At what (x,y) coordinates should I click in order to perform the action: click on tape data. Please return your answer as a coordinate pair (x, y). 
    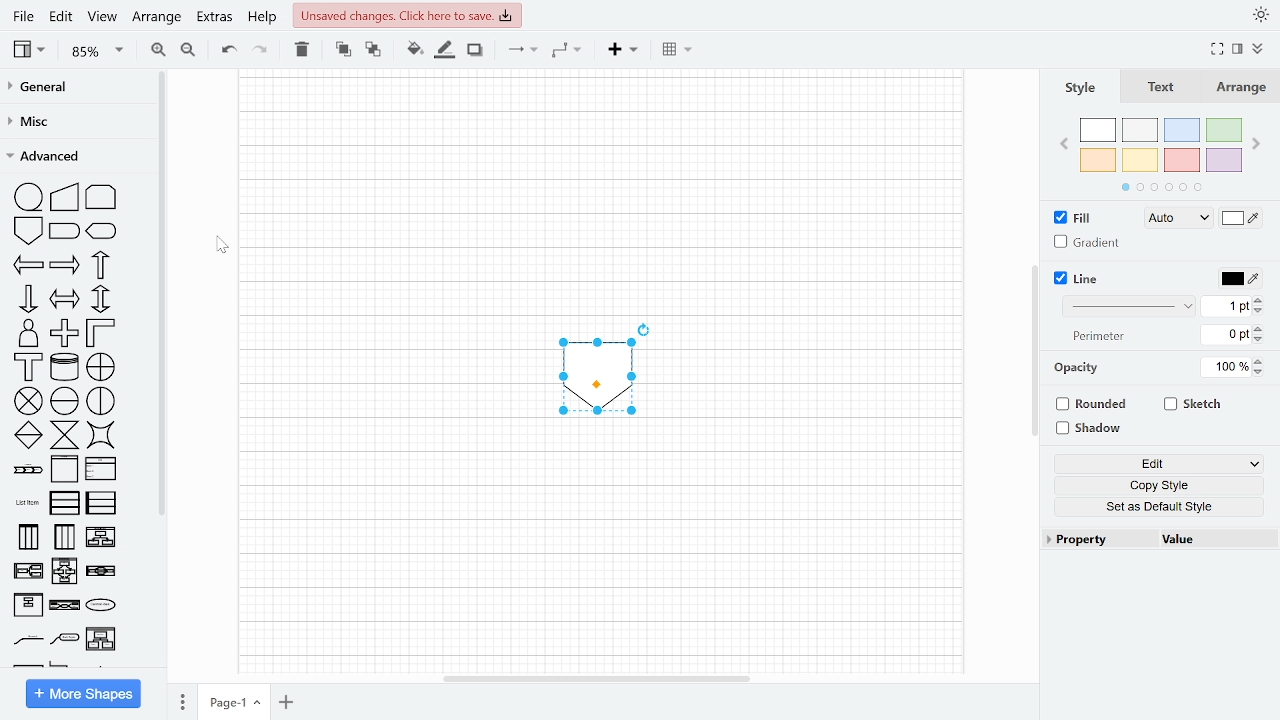
    Looking at the image, I should click on (30, 197).